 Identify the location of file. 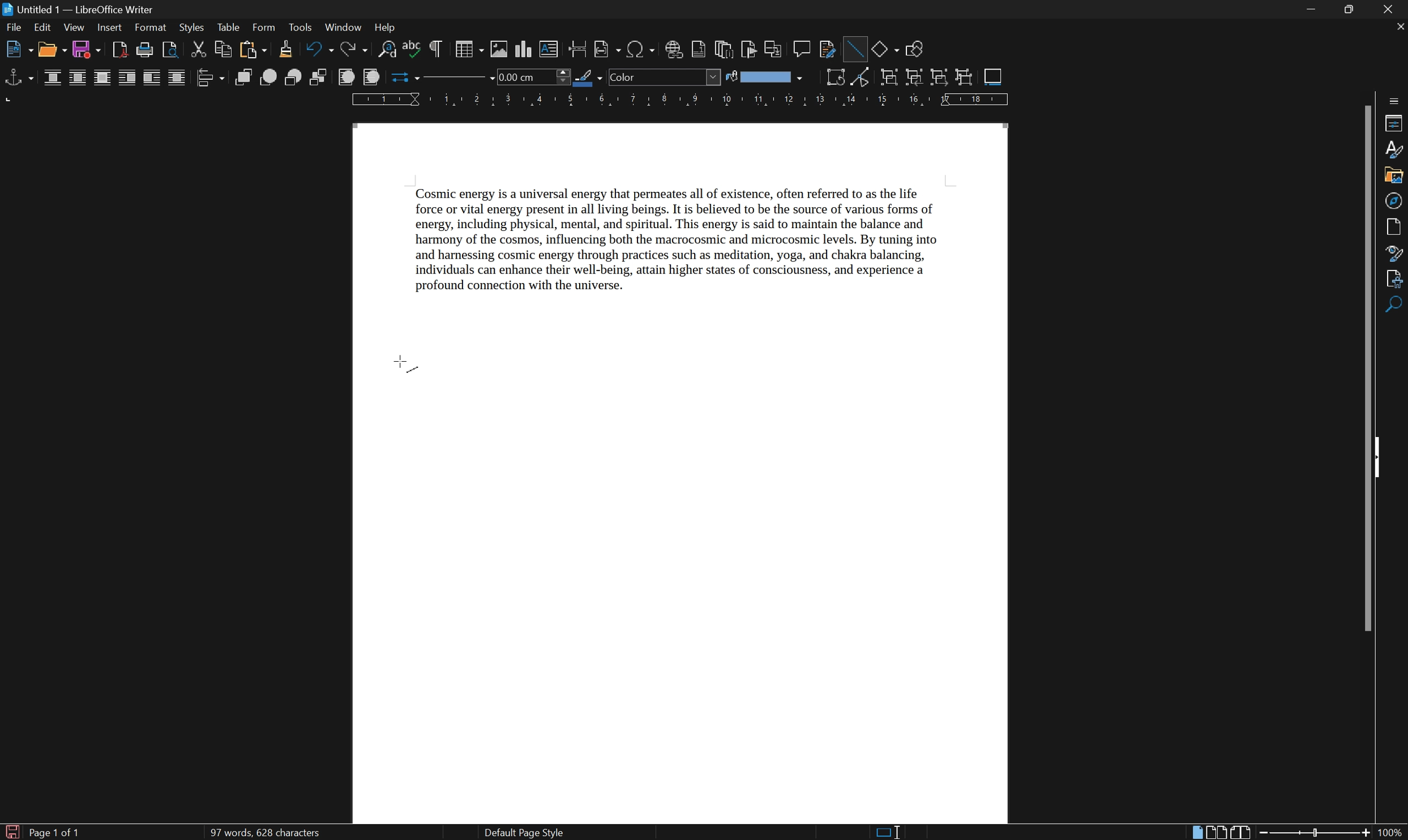
(14, 29).